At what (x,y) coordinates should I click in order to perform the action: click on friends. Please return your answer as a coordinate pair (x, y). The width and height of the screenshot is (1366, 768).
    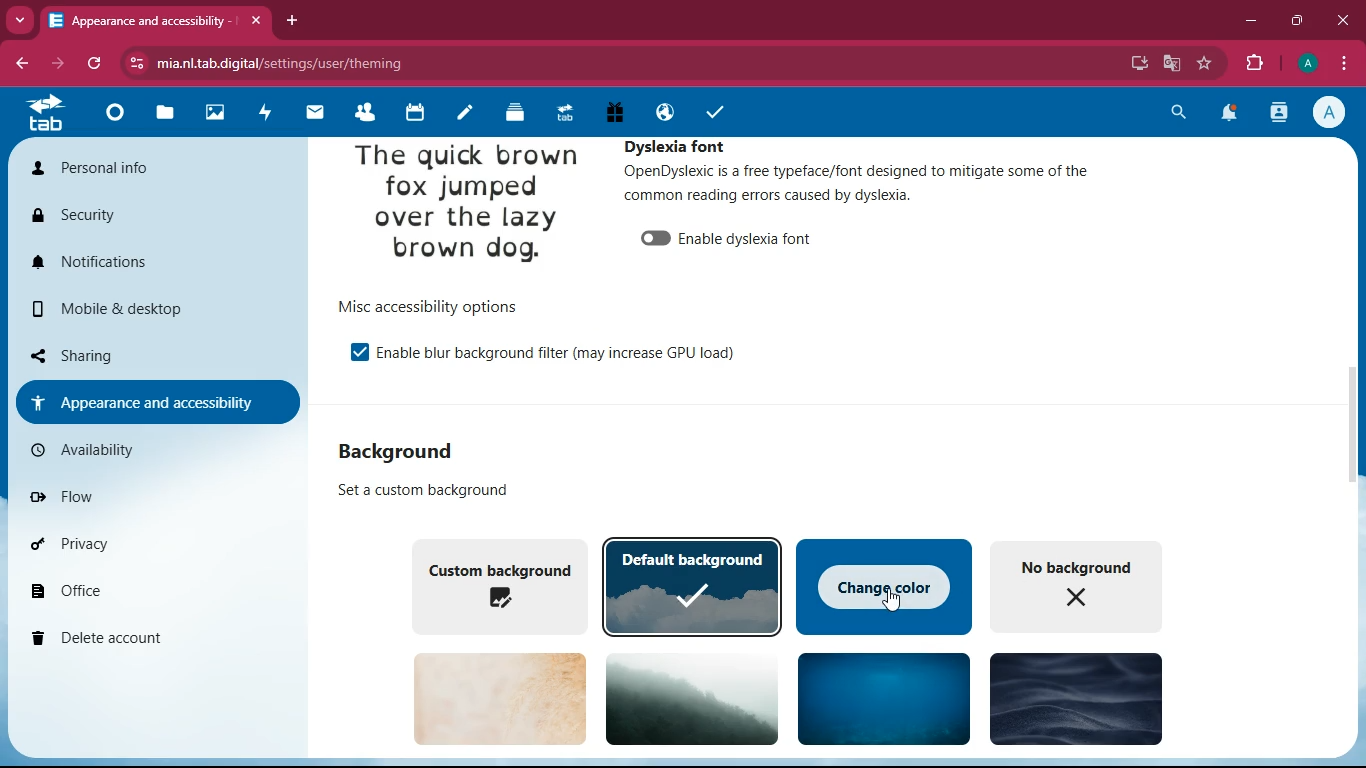
    Looking at the image, I should click on (361, 112).